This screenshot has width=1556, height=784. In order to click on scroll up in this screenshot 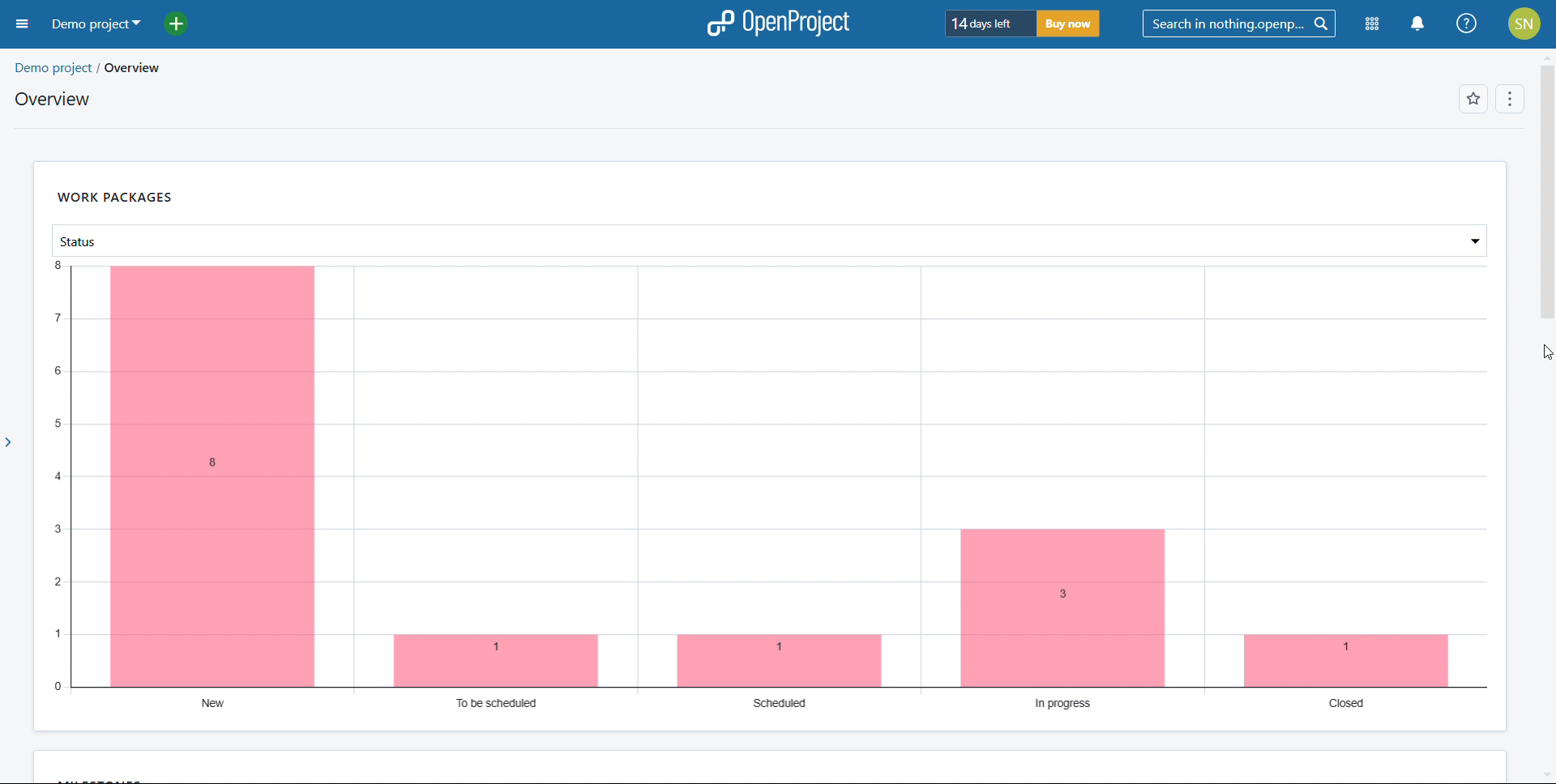, I will do `click(1546, 55)`.